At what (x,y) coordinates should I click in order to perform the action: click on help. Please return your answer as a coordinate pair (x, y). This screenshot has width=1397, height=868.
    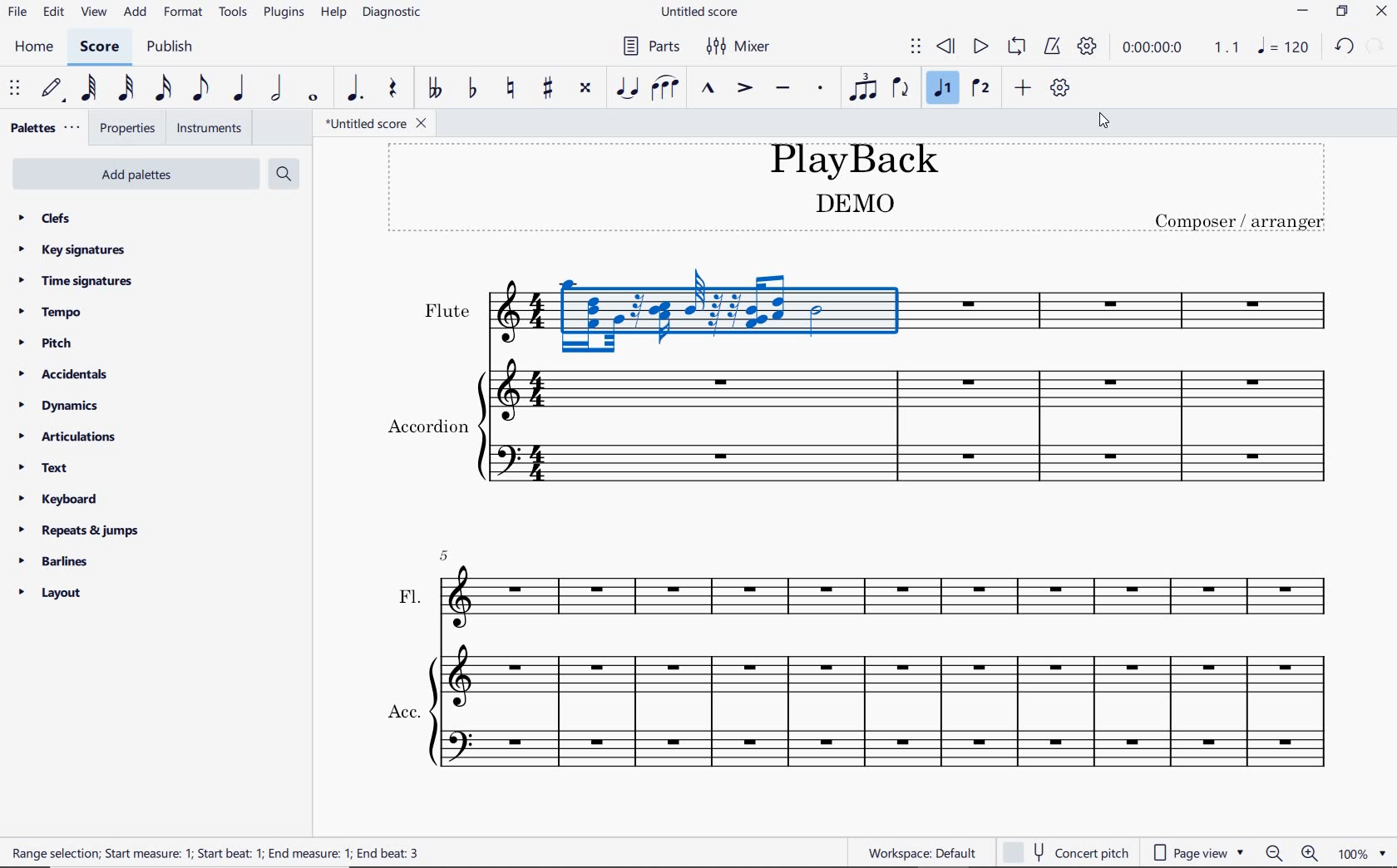
    Looking at the image, I should click on (333, 13).